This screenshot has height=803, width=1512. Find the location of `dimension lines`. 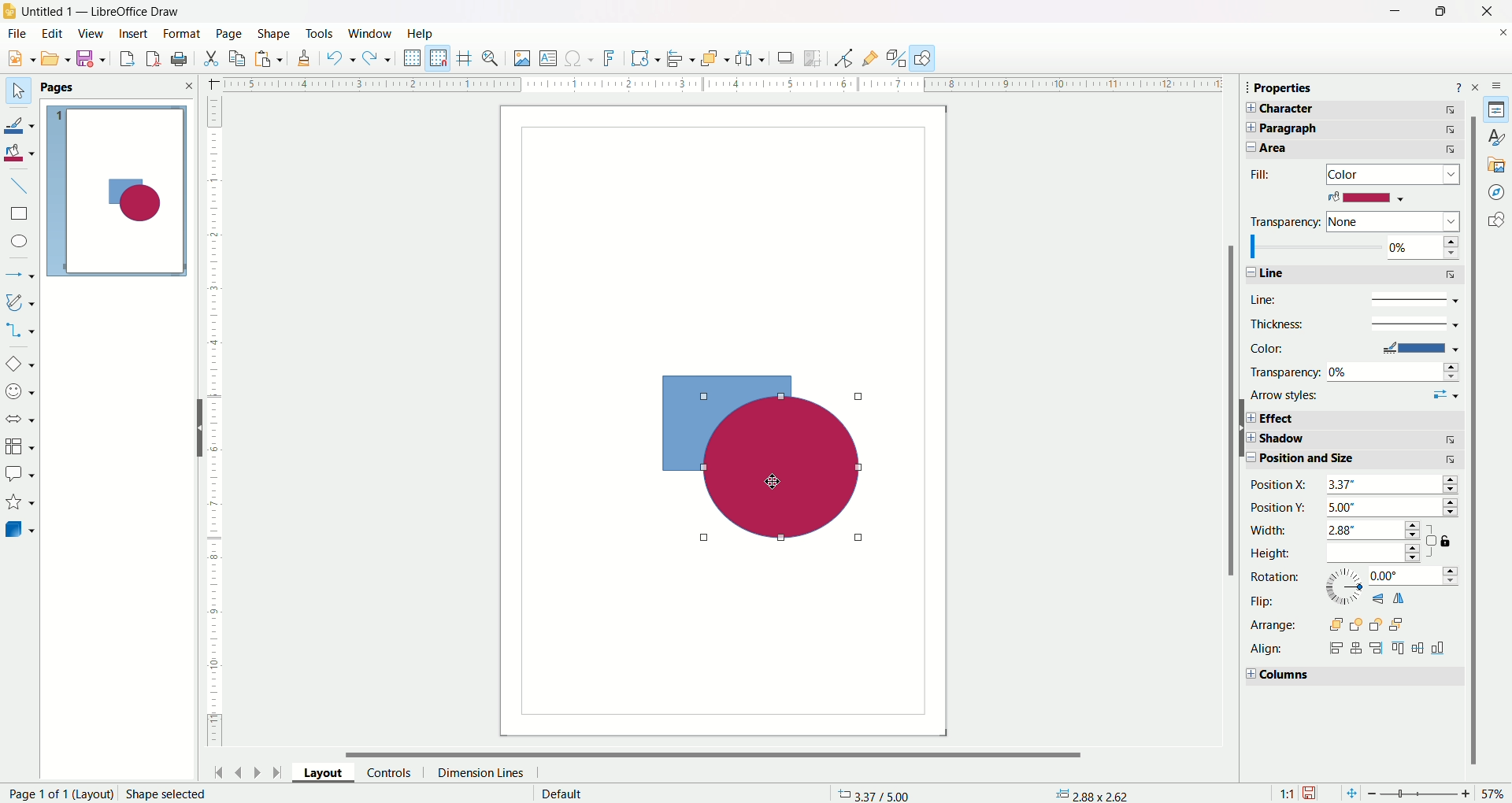

dimension lines is located at coordinates (484, 772).